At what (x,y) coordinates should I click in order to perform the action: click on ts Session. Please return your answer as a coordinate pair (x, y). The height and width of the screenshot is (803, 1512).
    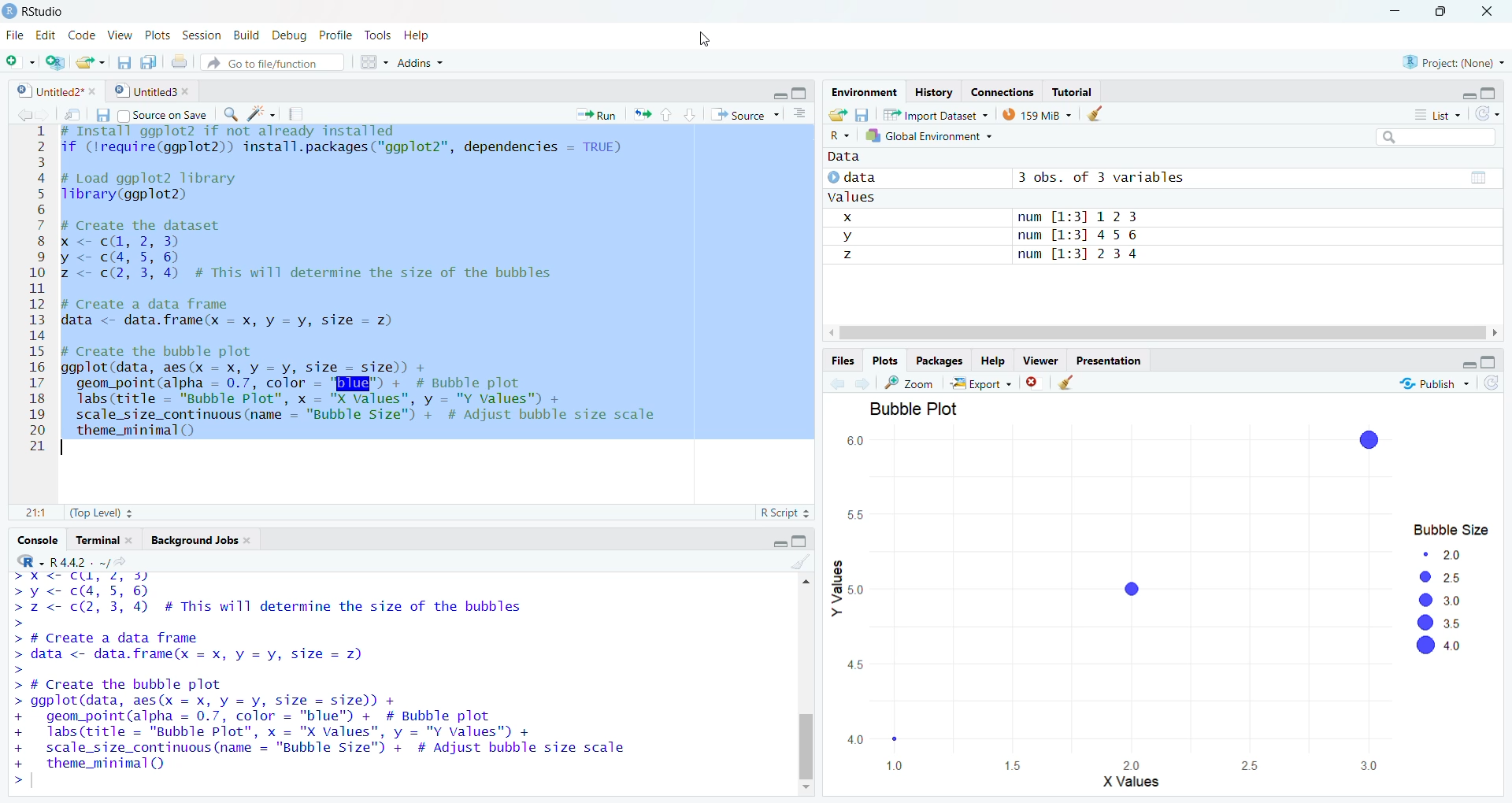
    Looking at the image, I should click on (200, 35).